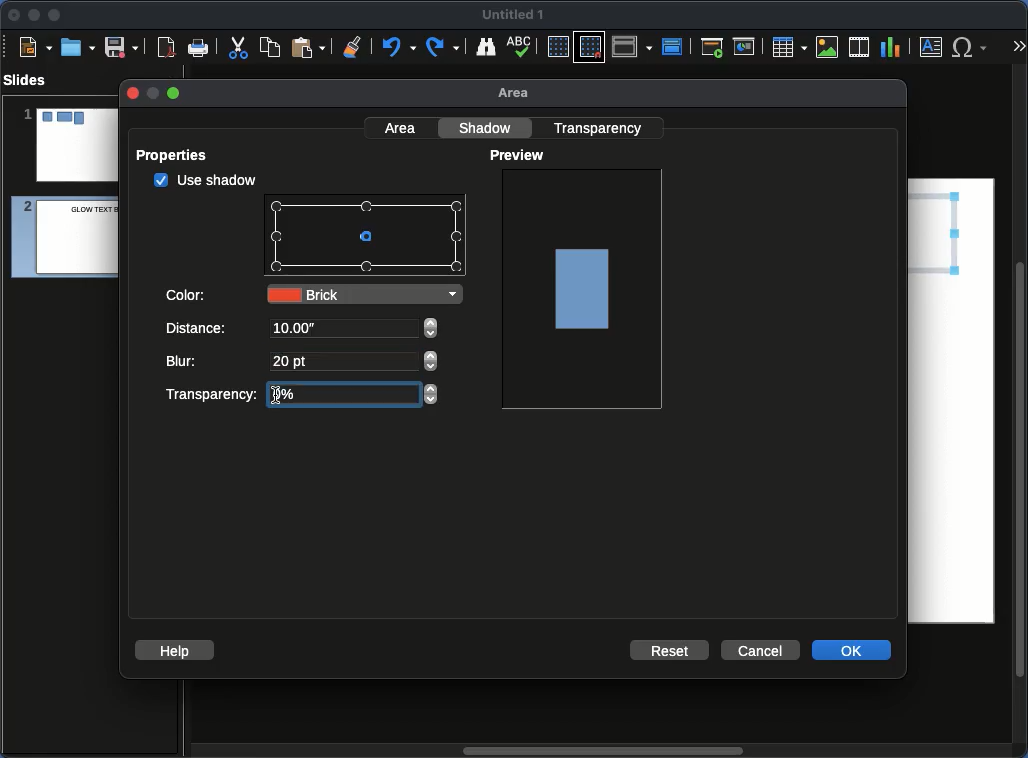 The height and width of the screenshot is (758, 1028). What do you see at coordinates (431, 361) in the screenshot?
I see `adjust` at bounding box center [431, 361].